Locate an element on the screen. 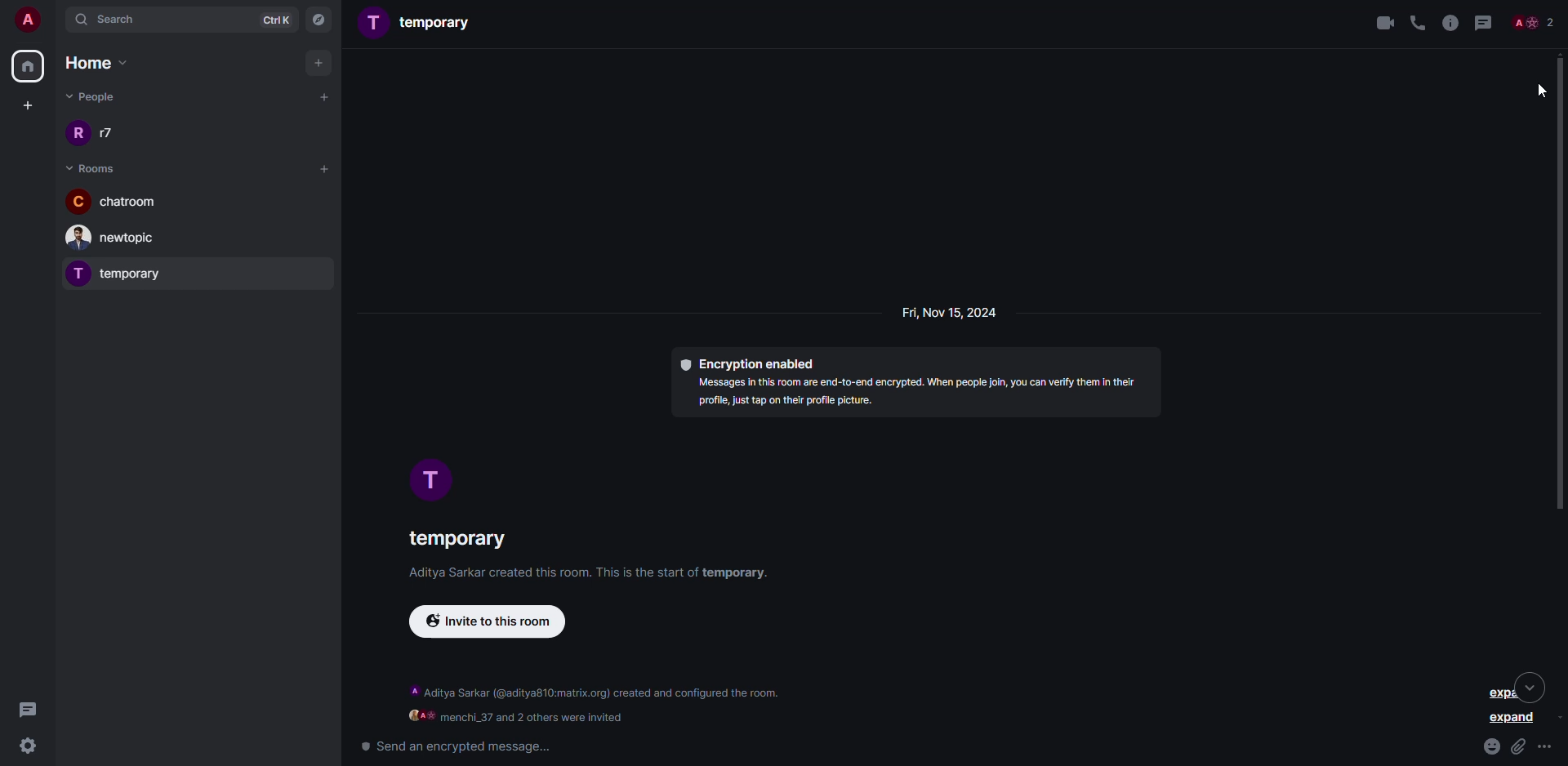  voice call is located at coordinates (1416, 22).